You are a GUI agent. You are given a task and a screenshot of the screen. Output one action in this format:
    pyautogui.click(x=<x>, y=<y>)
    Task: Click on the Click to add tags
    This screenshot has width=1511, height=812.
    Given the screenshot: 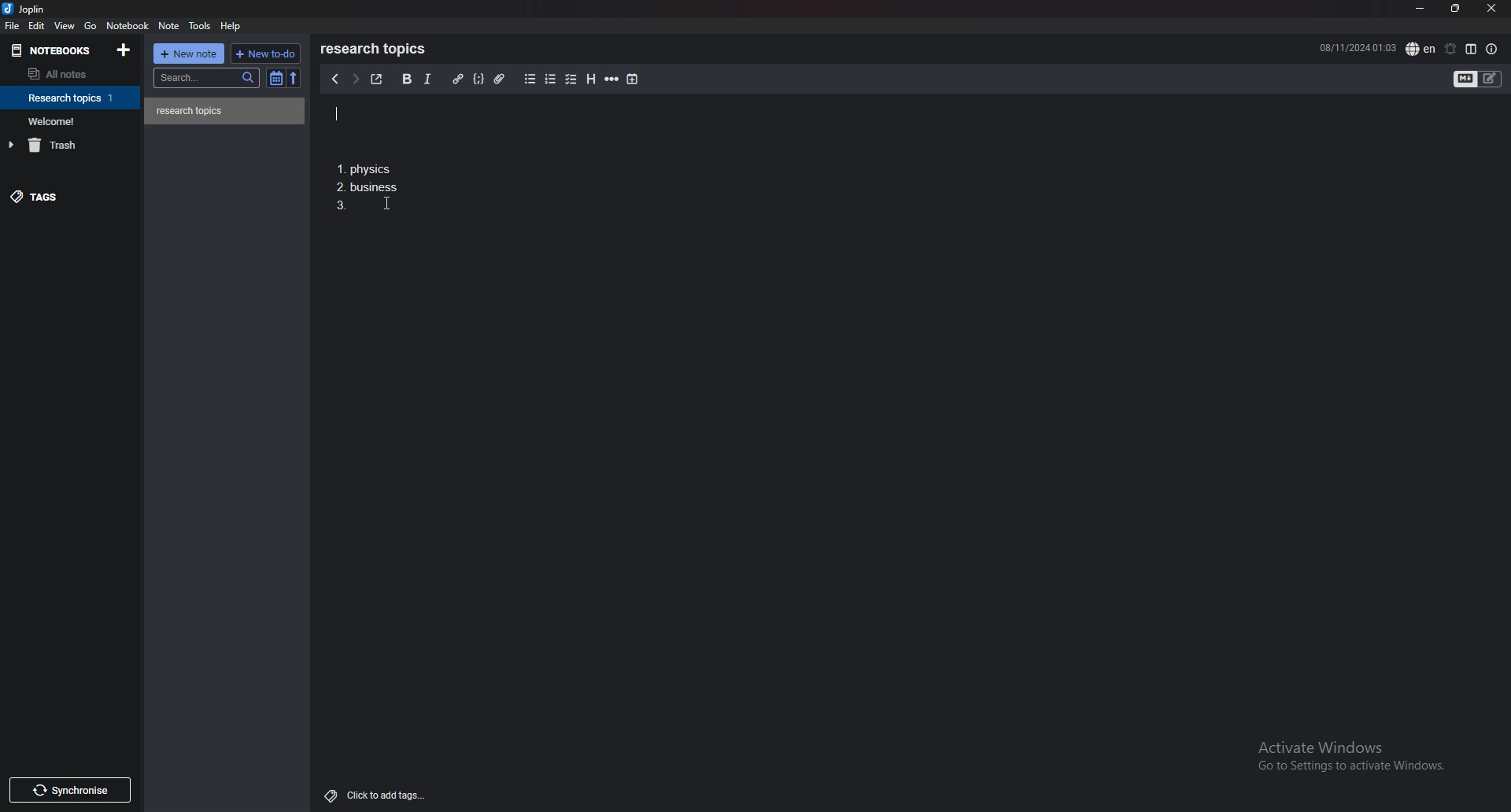 What is the action you would take?
    pyautogui.click(x=371, y=795)
    